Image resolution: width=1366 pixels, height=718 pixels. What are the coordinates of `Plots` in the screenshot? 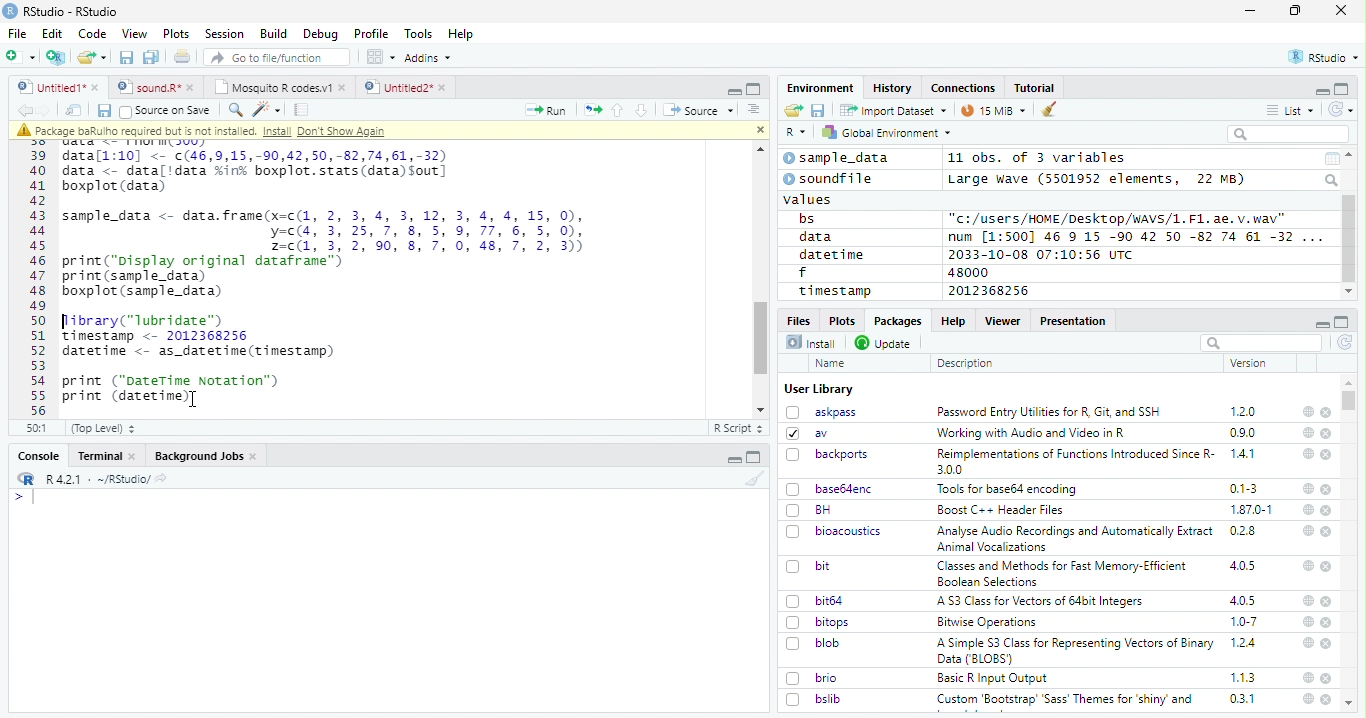 It's located at (841, 320).